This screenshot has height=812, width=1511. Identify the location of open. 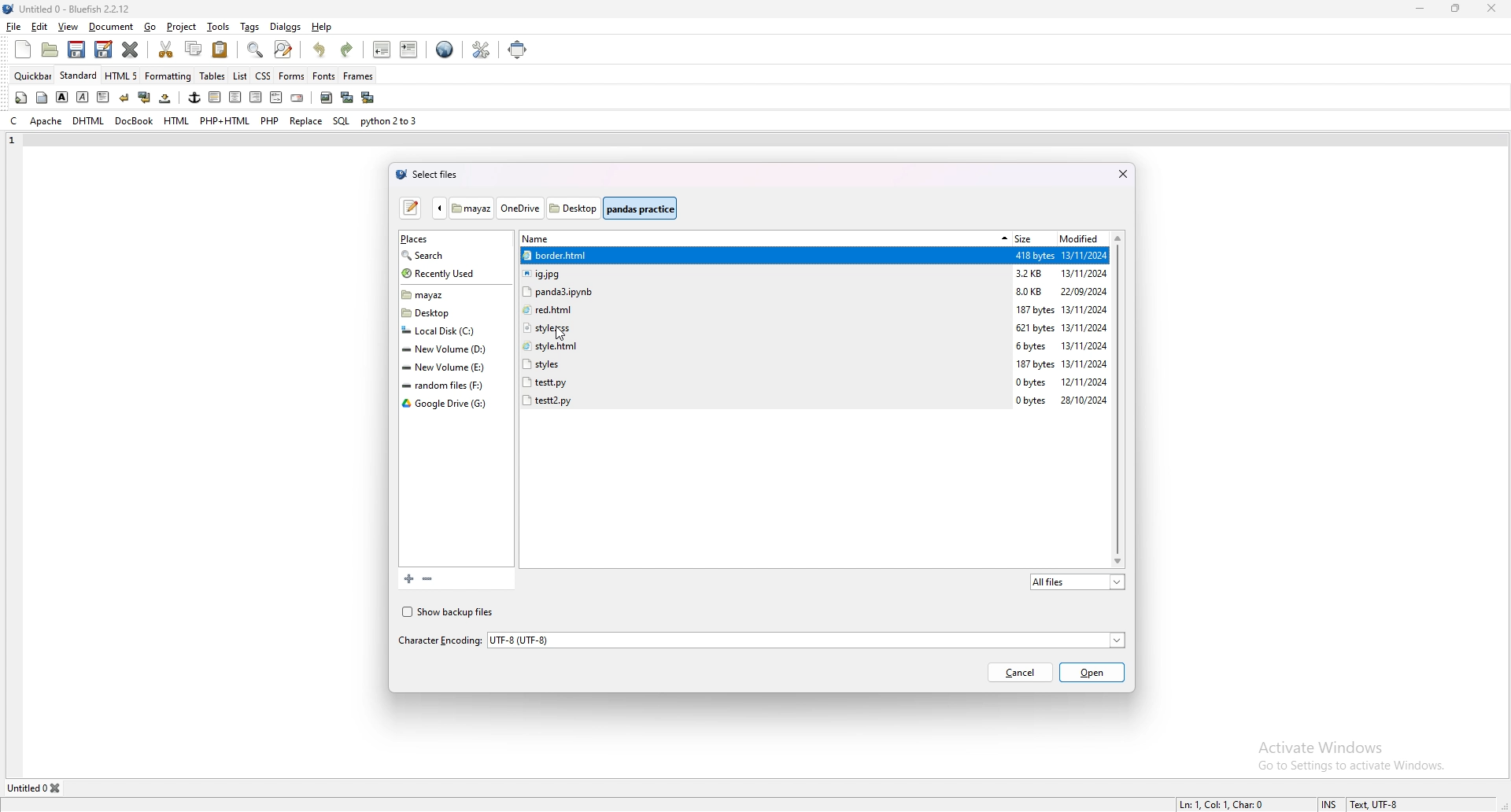
(50, 50).